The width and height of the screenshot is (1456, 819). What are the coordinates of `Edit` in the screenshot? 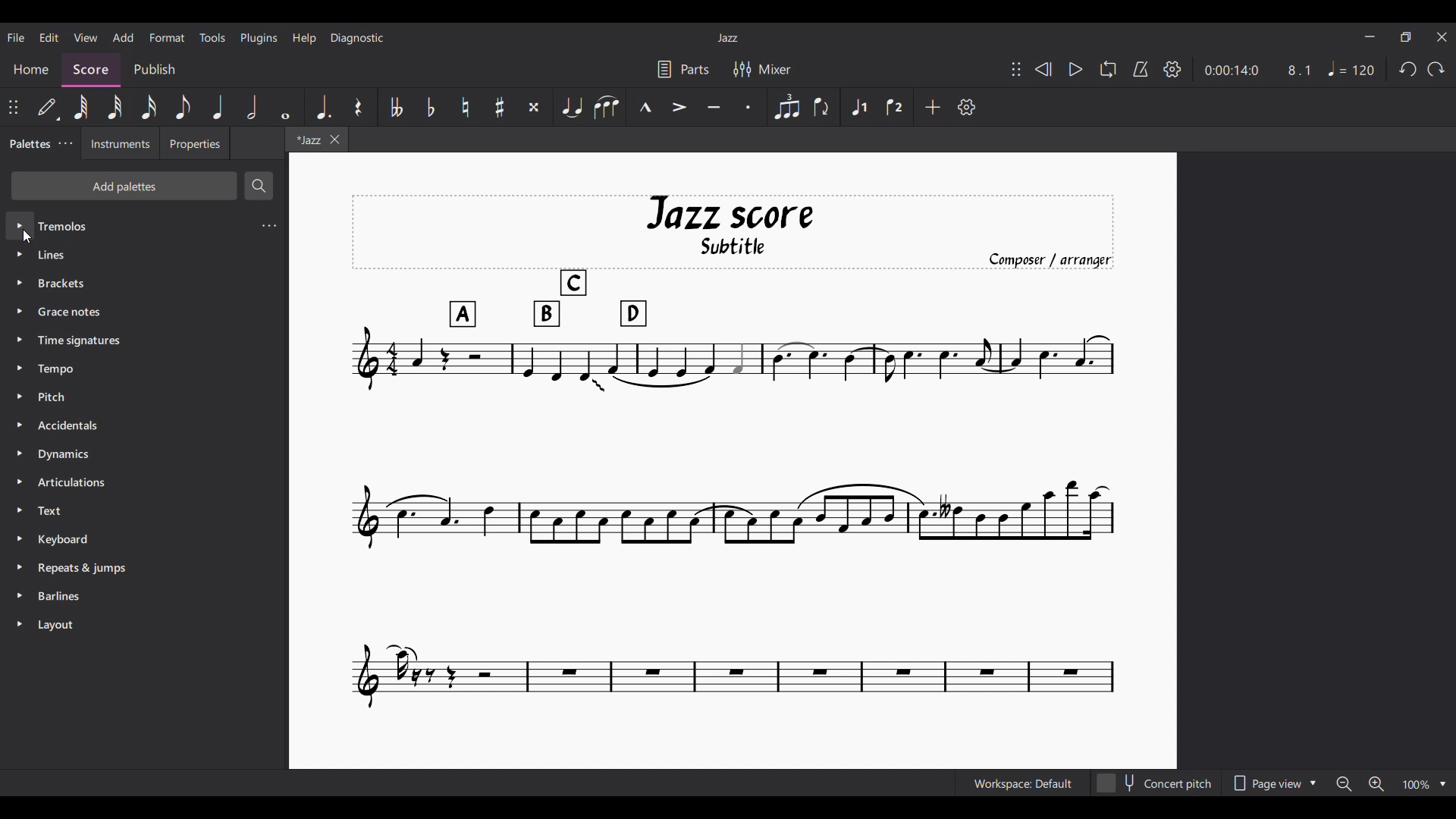 It's located at (49, 37).